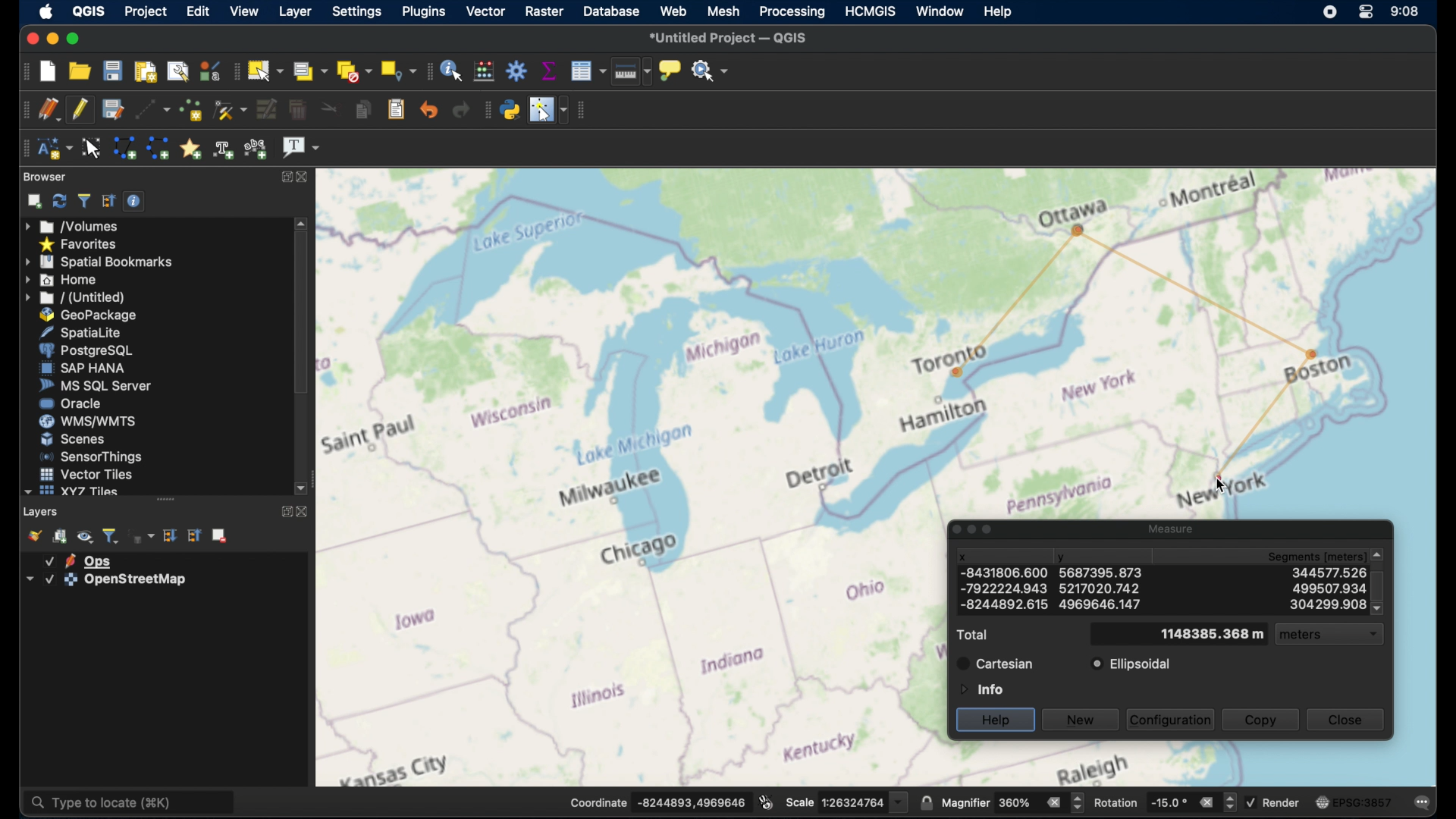 Image resolution: width=1456 pixels, height=819 pixels. What do you see at coordinates (356, 13) in the screenshot?
I see `settings` at bounding box center [356, 13].